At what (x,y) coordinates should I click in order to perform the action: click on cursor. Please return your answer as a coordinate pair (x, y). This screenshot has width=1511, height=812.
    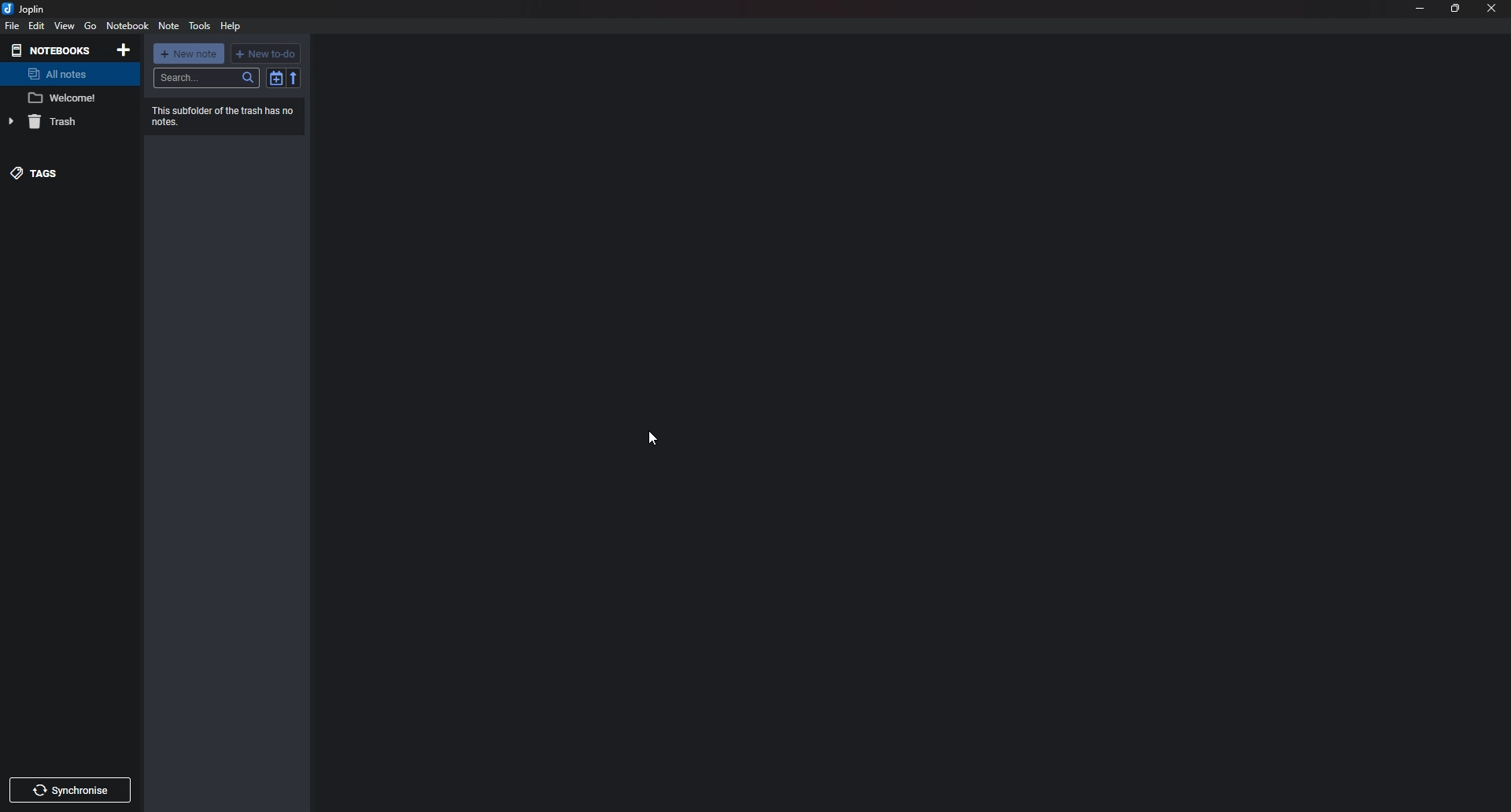
    Looking at the image, I should click on (654, 437).